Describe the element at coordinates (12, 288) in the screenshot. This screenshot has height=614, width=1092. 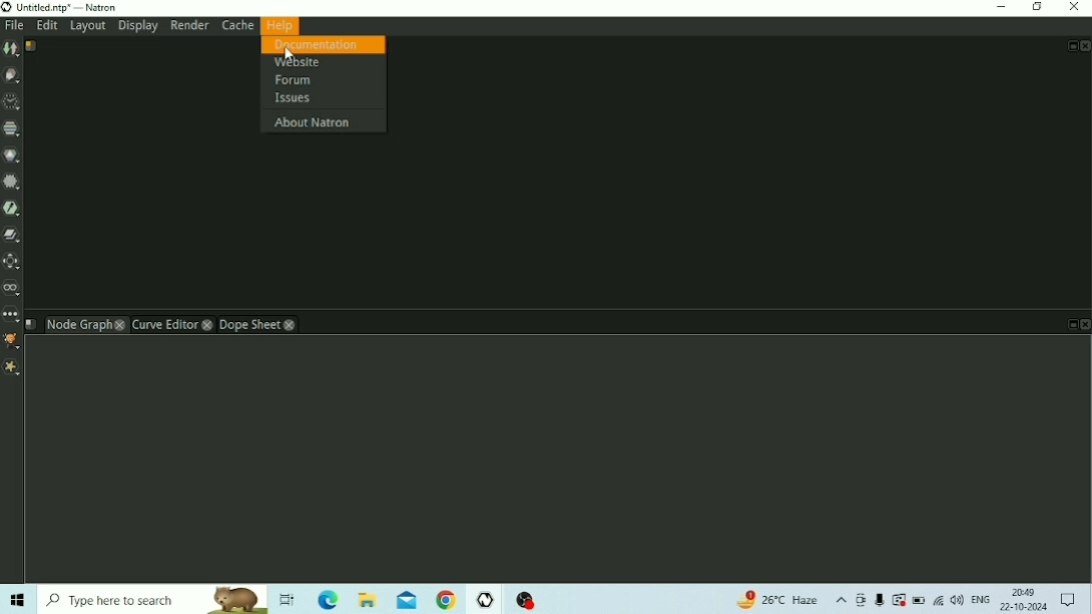
I see `Views` at that location.